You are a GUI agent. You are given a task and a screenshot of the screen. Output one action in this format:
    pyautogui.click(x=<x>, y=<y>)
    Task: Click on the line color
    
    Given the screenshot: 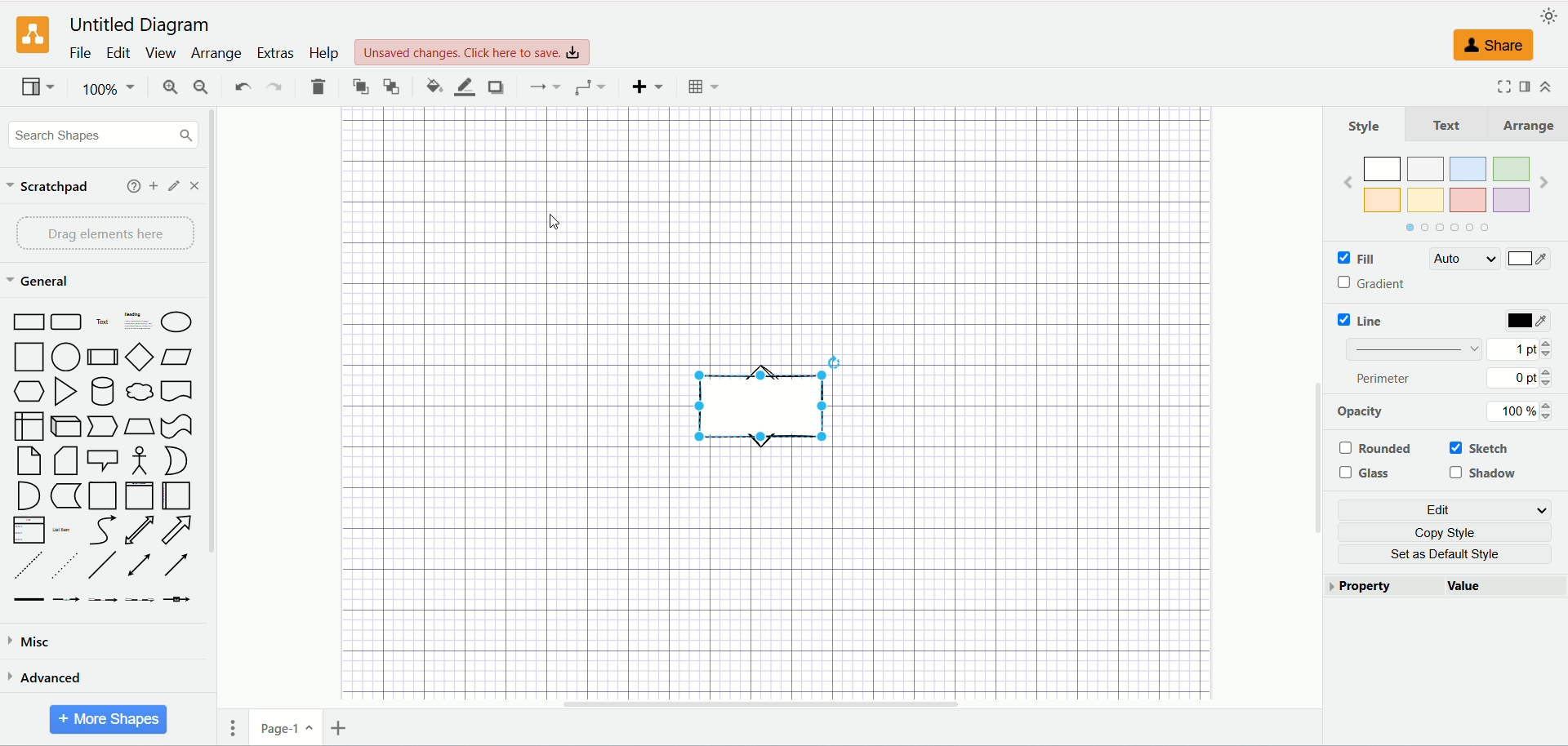 What is the action you would take?
    pyautogui.click(x=465, y=87)
    